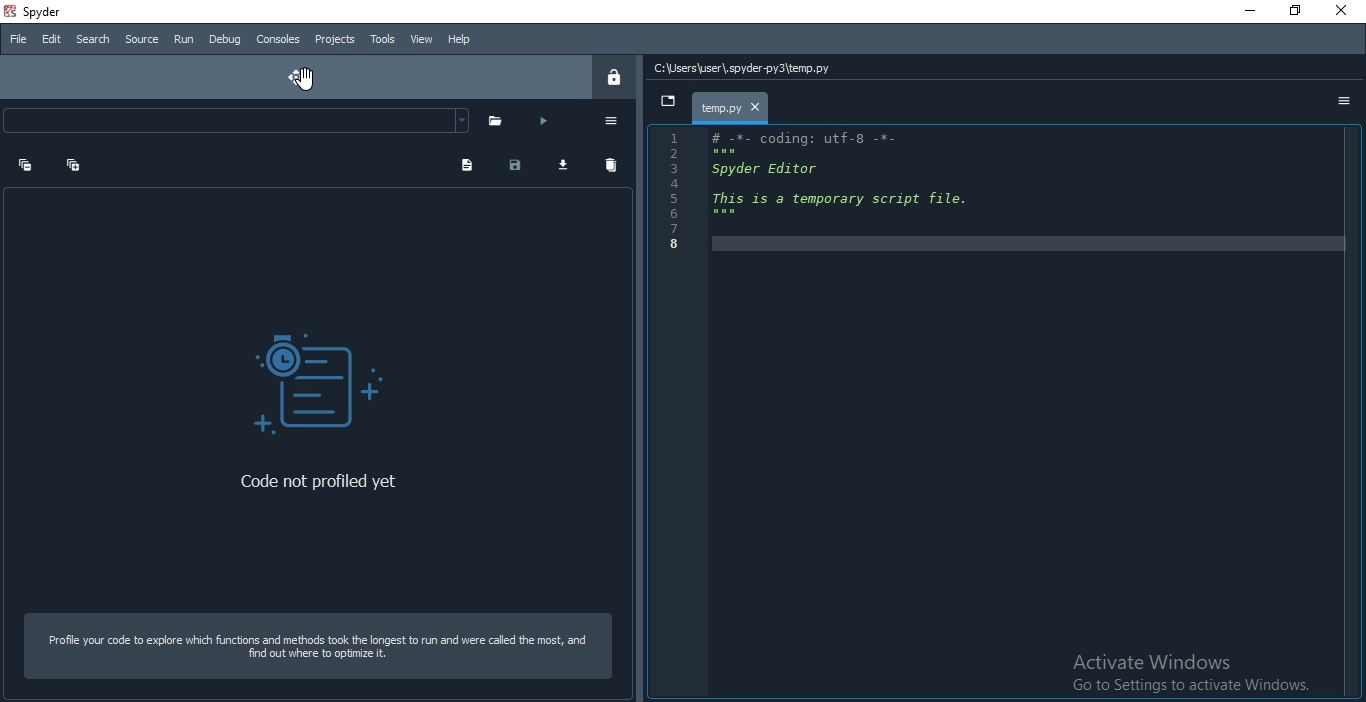 Image resolution: width=1366 pixels, height=702 pixels. Describe the element at coordinates (182, 40) in the screenshot. I see `Run` at that location.